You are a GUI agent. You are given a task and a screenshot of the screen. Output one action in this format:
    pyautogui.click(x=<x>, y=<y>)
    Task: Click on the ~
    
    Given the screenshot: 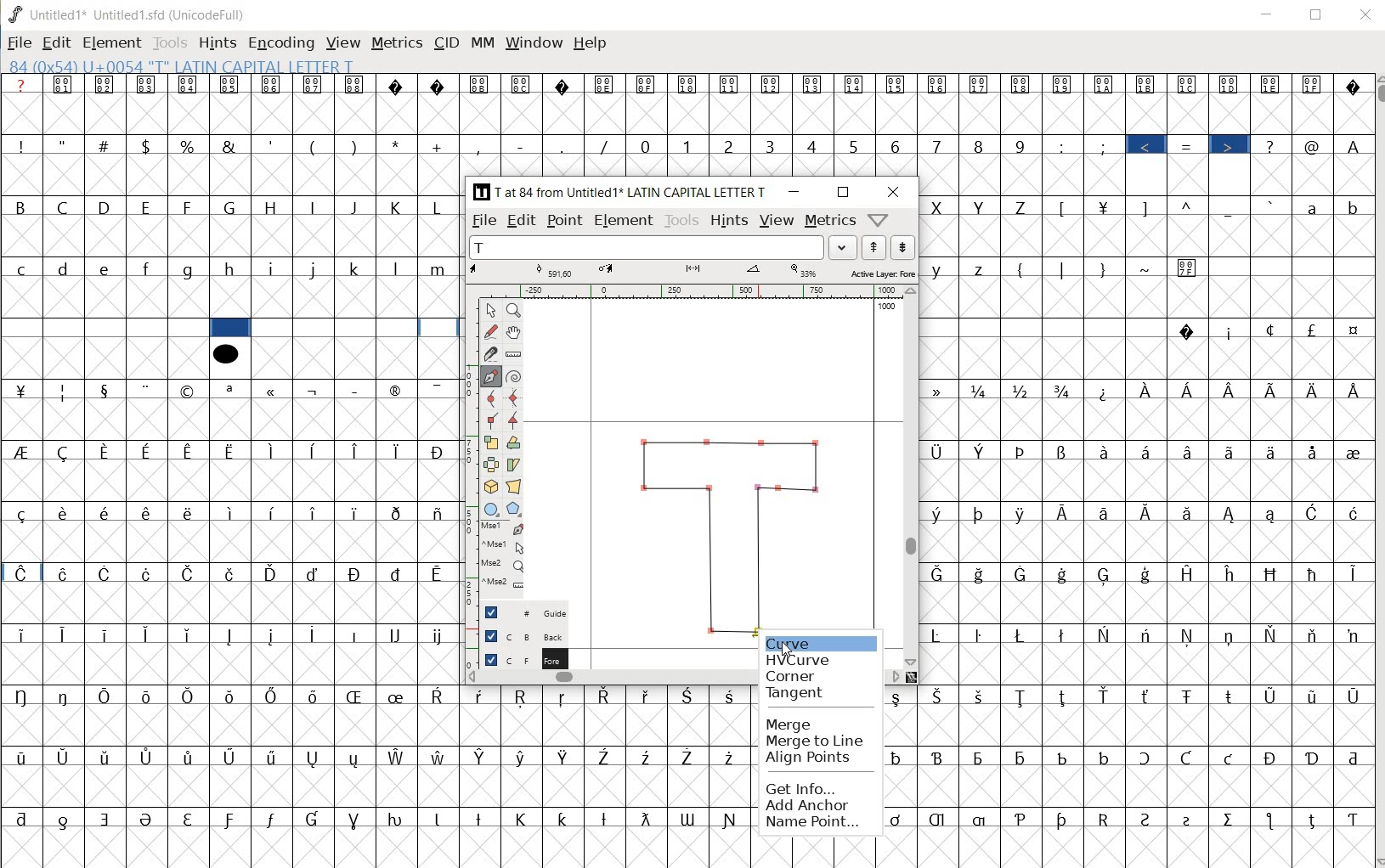 What is the action you would take?
    pyautogui.click(x=1148, y=269)
    